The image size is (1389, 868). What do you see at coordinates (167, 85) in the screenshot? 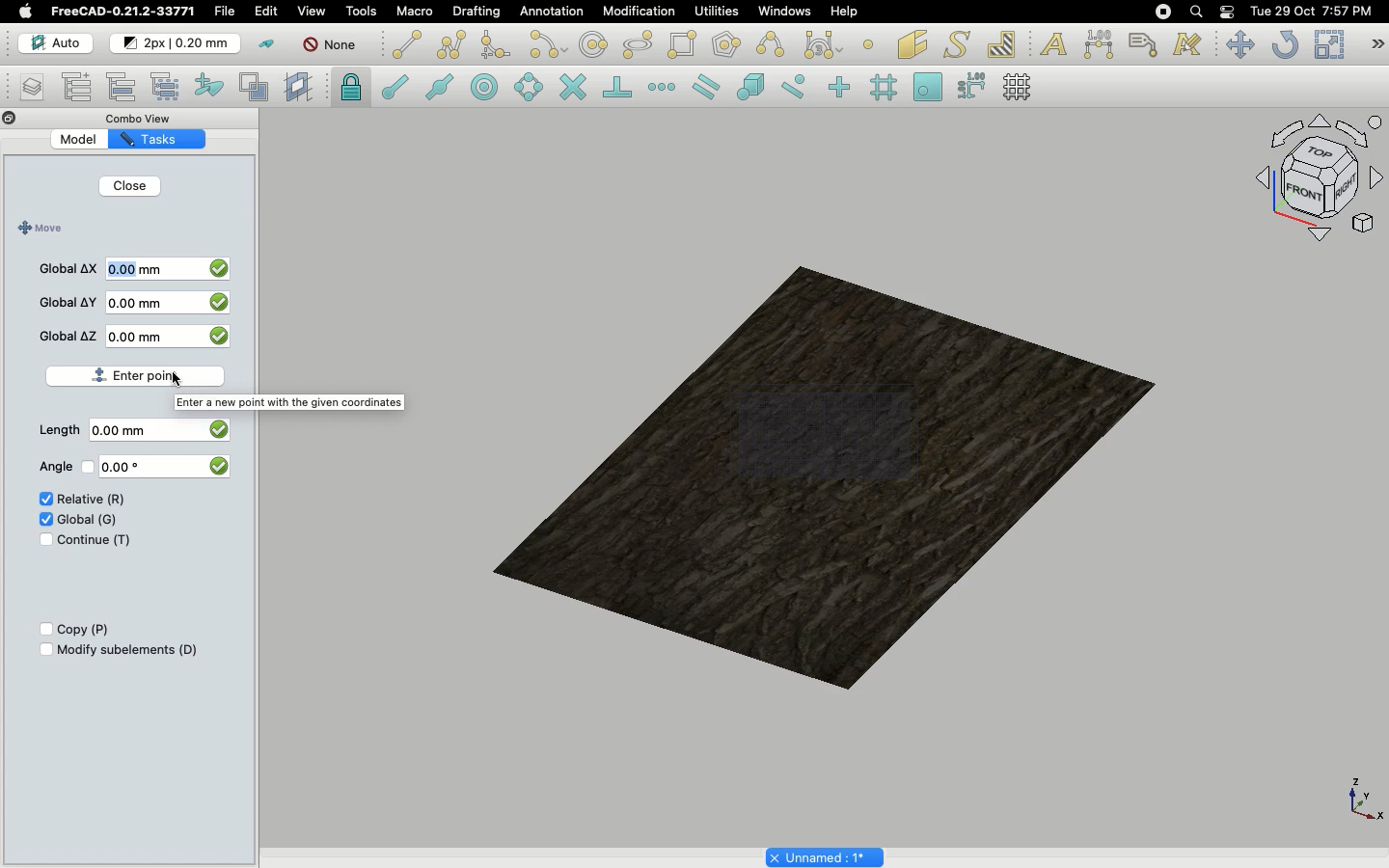
I see `Select group` at bounding box center [167, 85].